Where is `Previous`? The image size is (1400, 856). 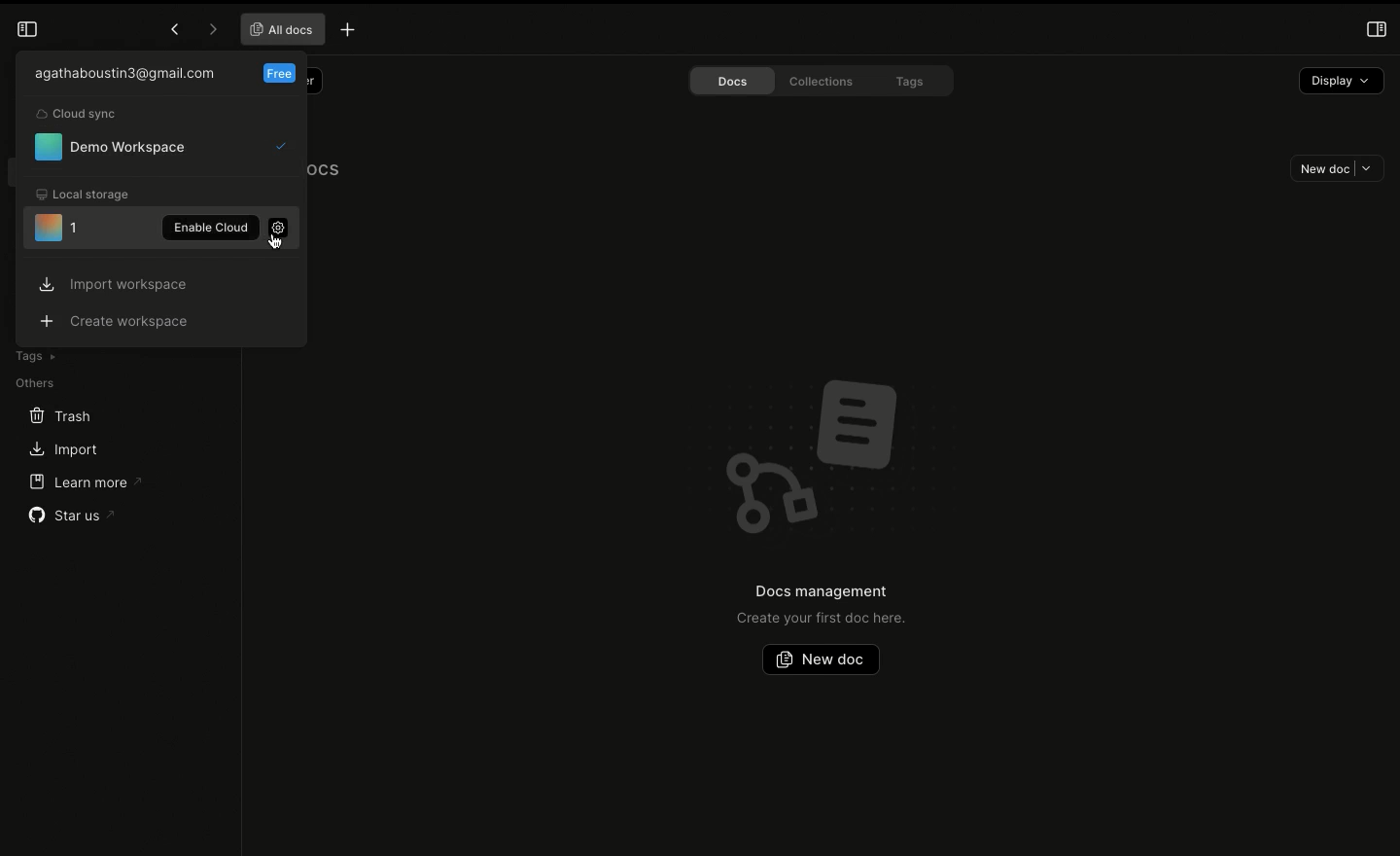
Previous is located at coordinates (172, 32).